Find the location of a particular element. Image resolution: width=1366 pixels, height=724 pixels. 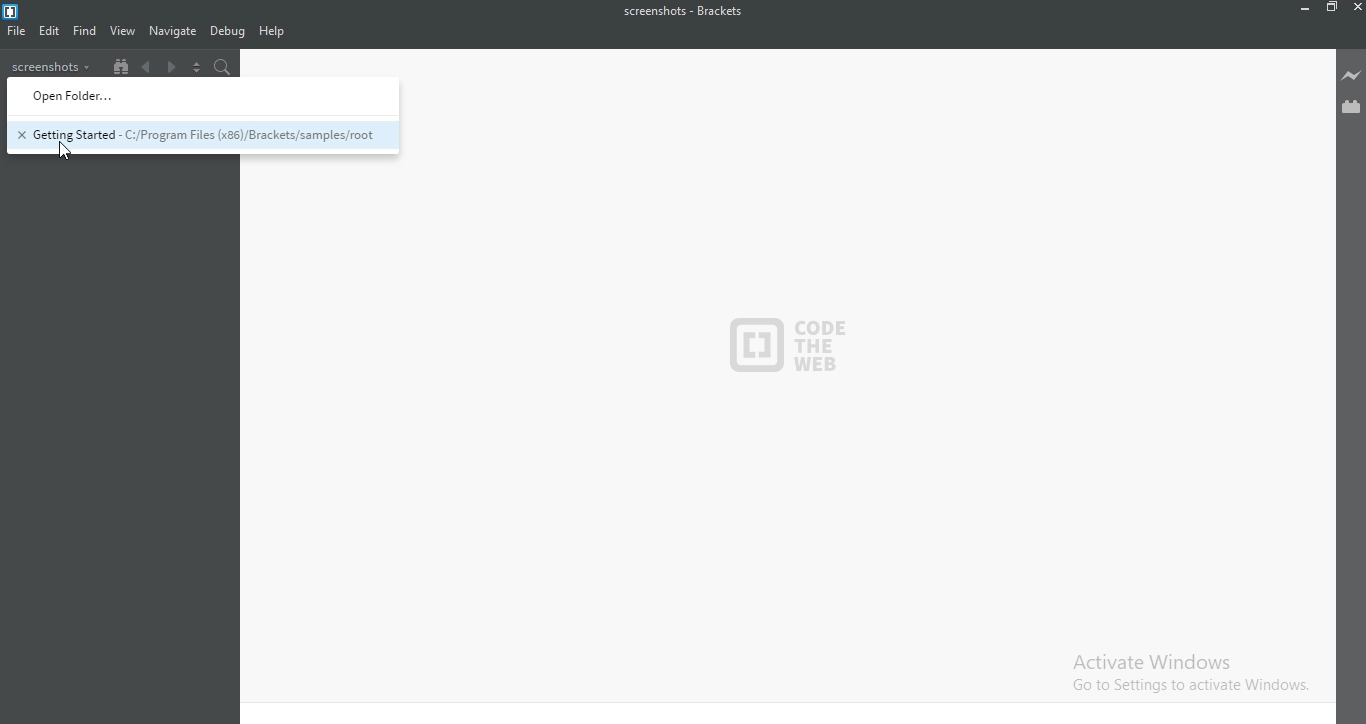

Restore is located at coordinates (1331, 8).